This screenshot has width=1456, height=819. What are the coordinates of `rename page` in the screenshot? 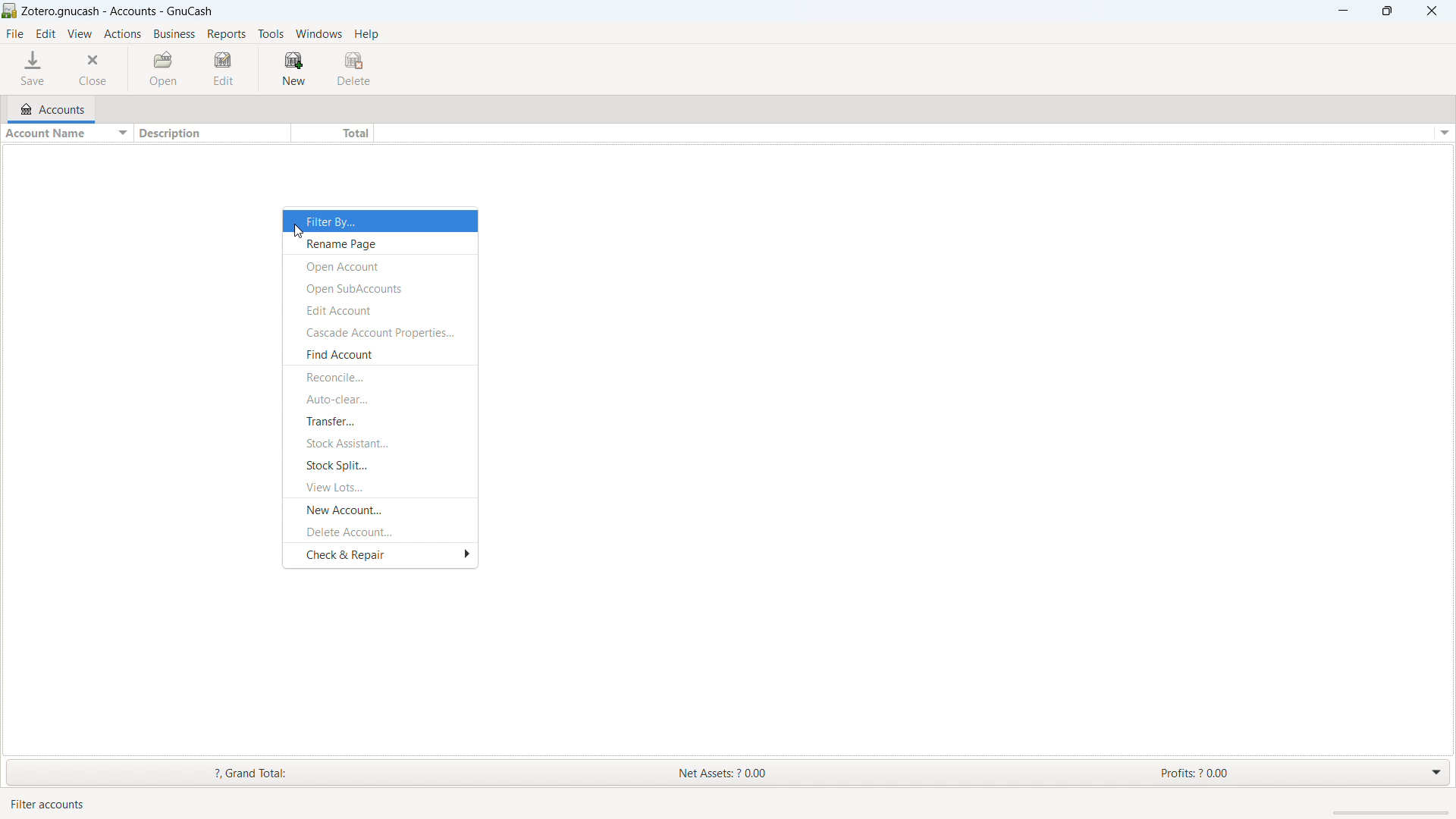 It's located at (380, 243).